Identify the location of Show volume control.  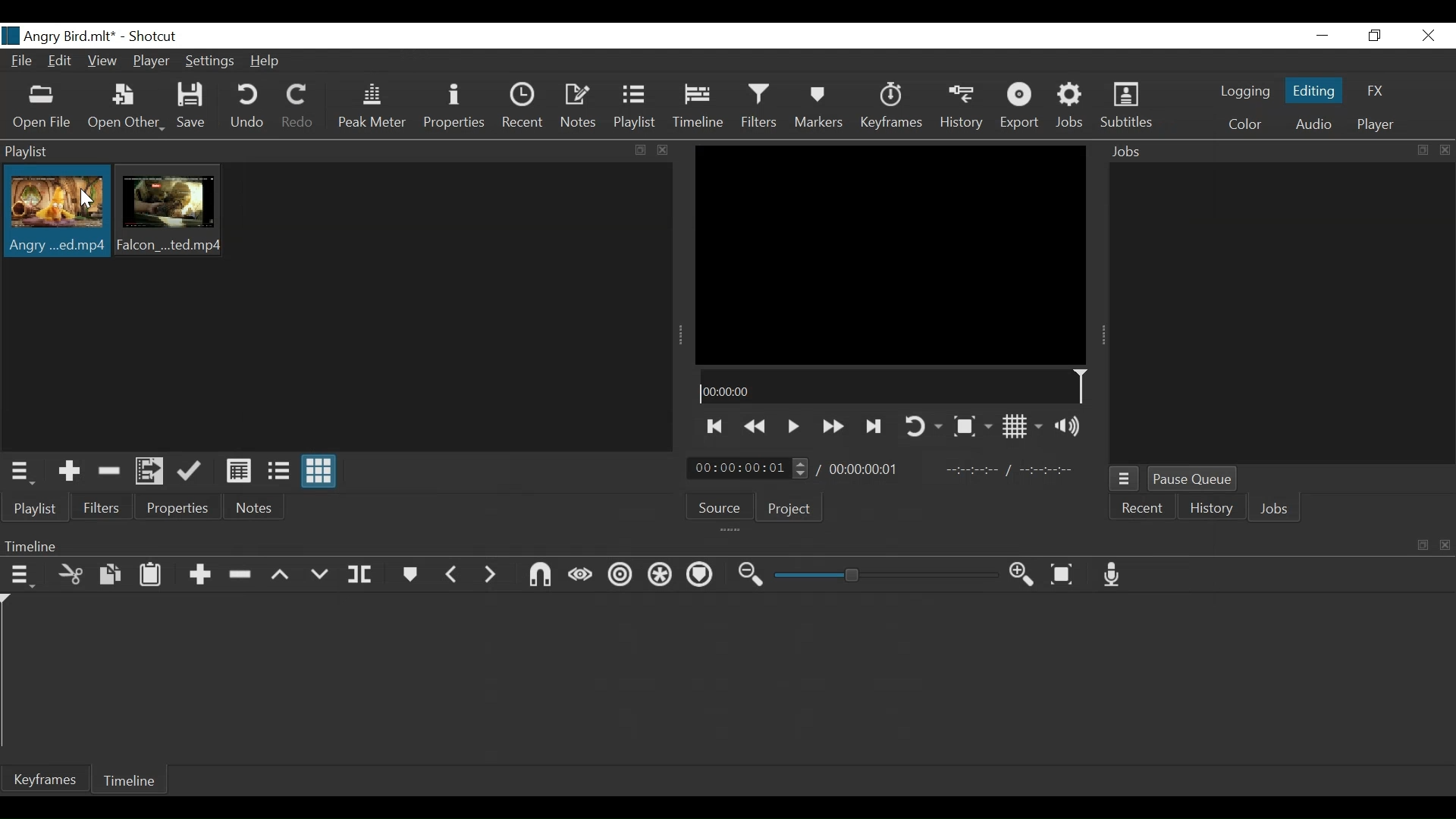
(1072, 425).